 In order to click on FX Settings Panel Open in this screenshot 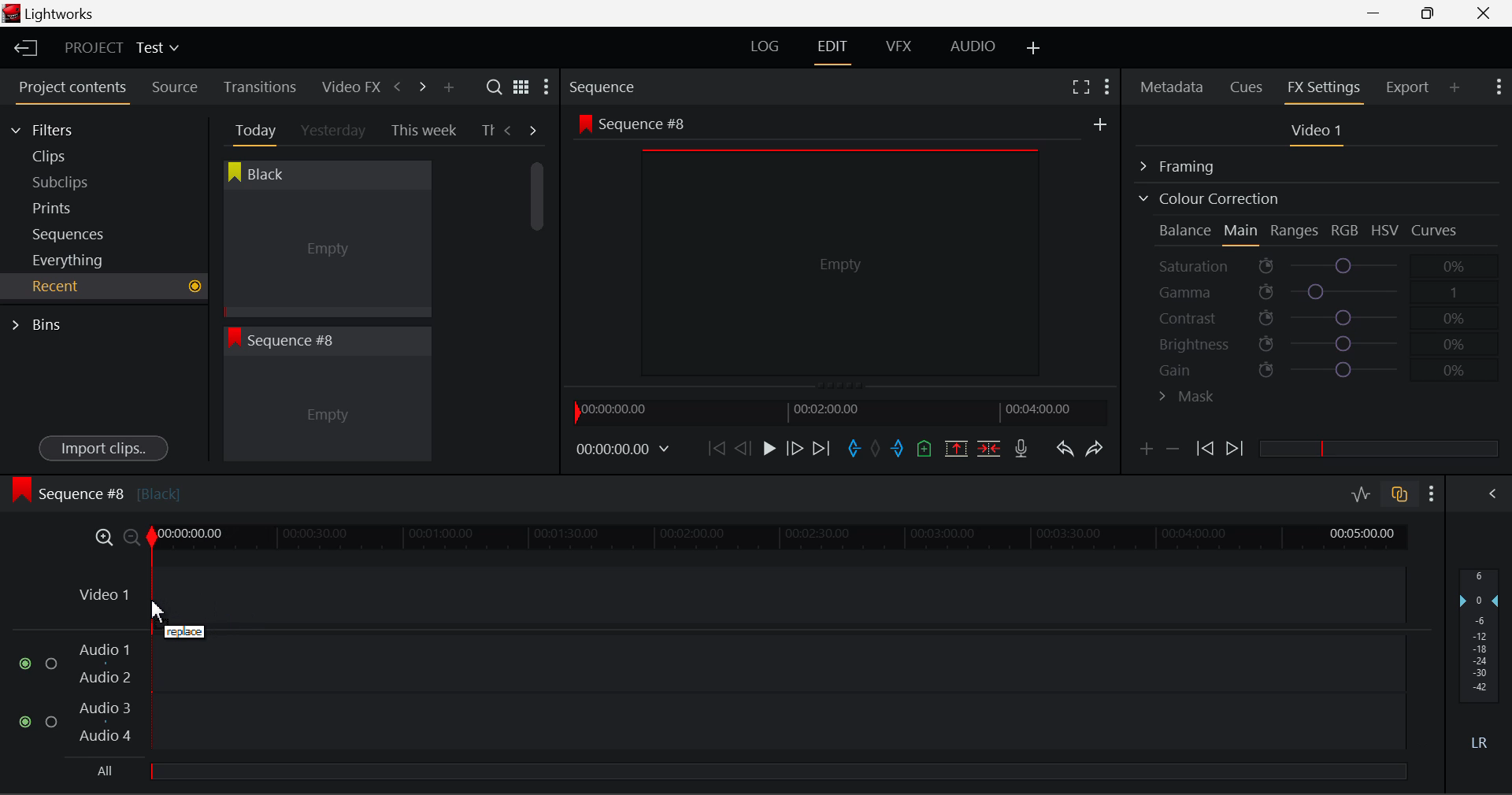, I will do `click(1325, 89)`.